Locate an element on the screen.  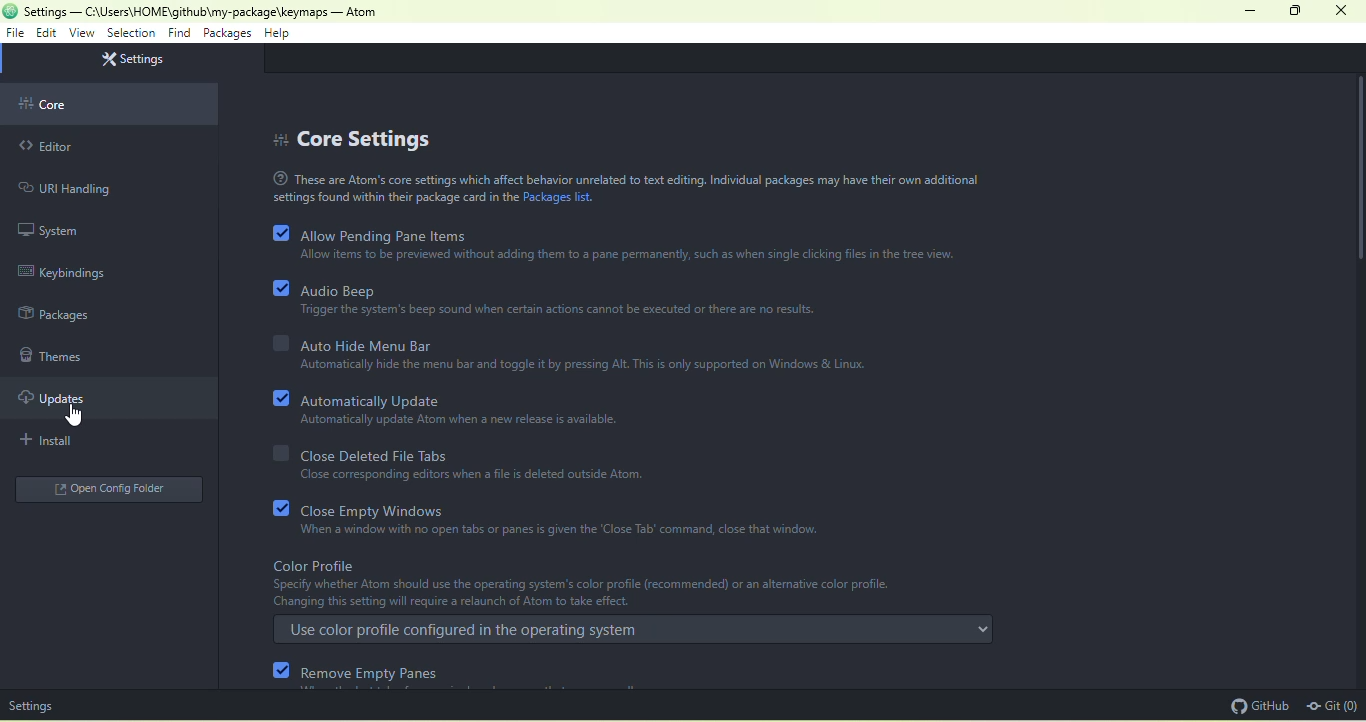
icon is located at coordinates (10, 10).